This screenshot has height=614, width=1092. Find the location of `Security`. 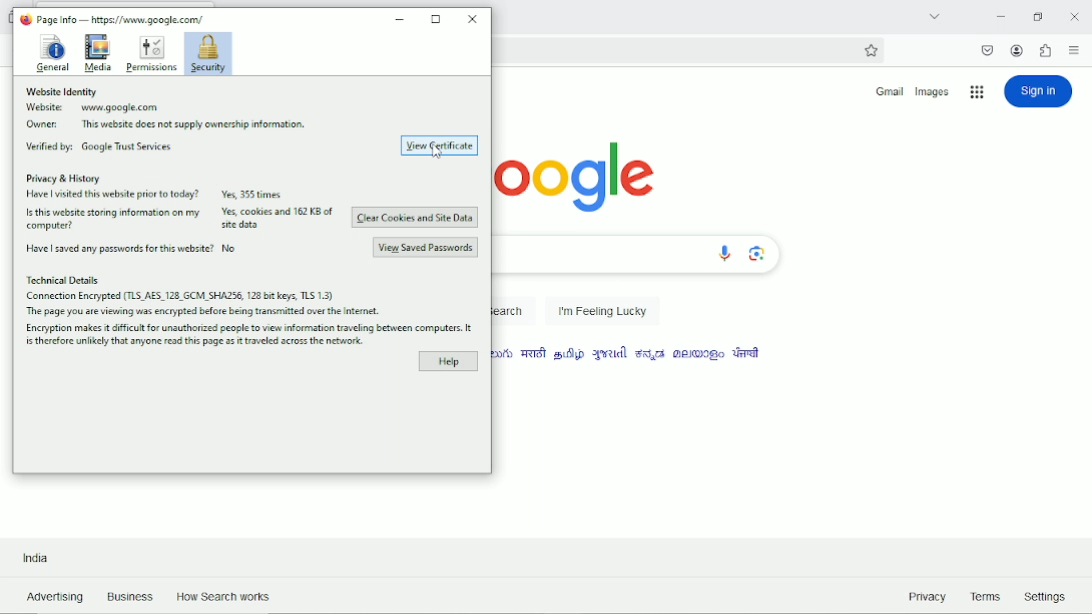

Security is located at coordinates (209, 54).